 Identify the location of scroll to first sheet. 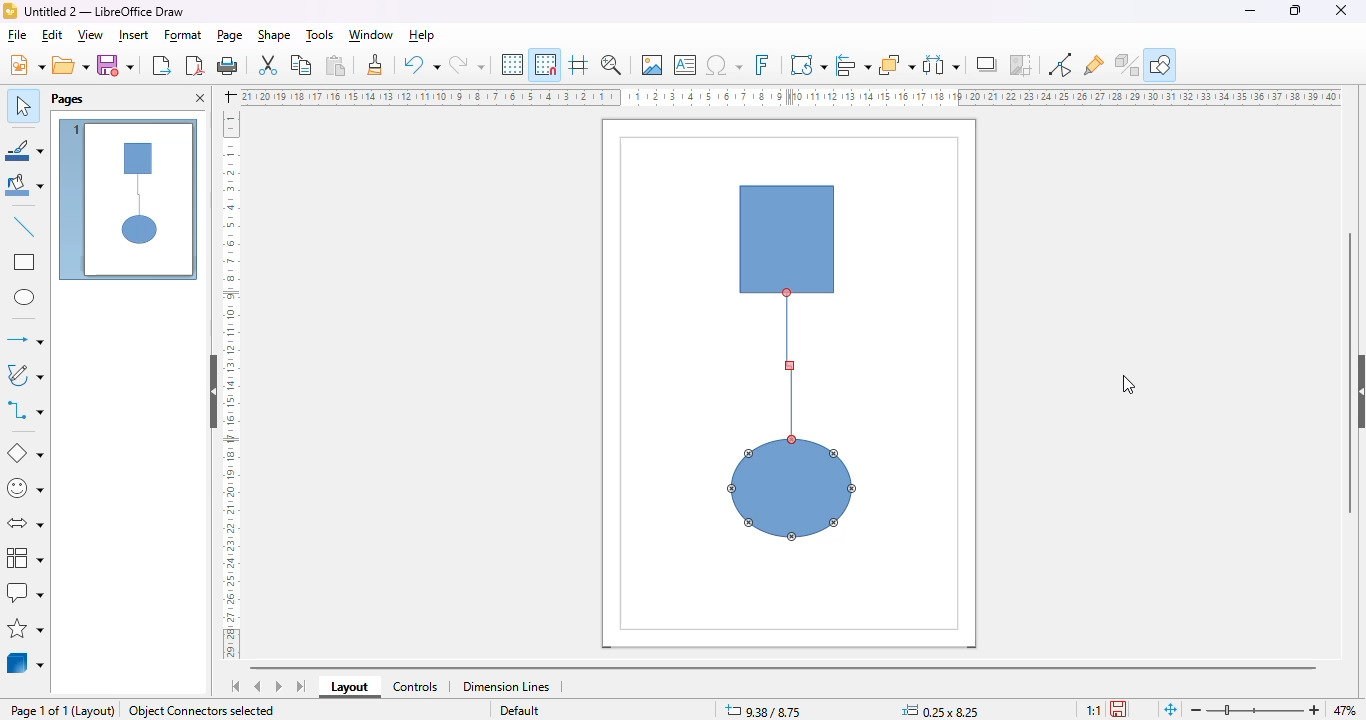
(236, 687).